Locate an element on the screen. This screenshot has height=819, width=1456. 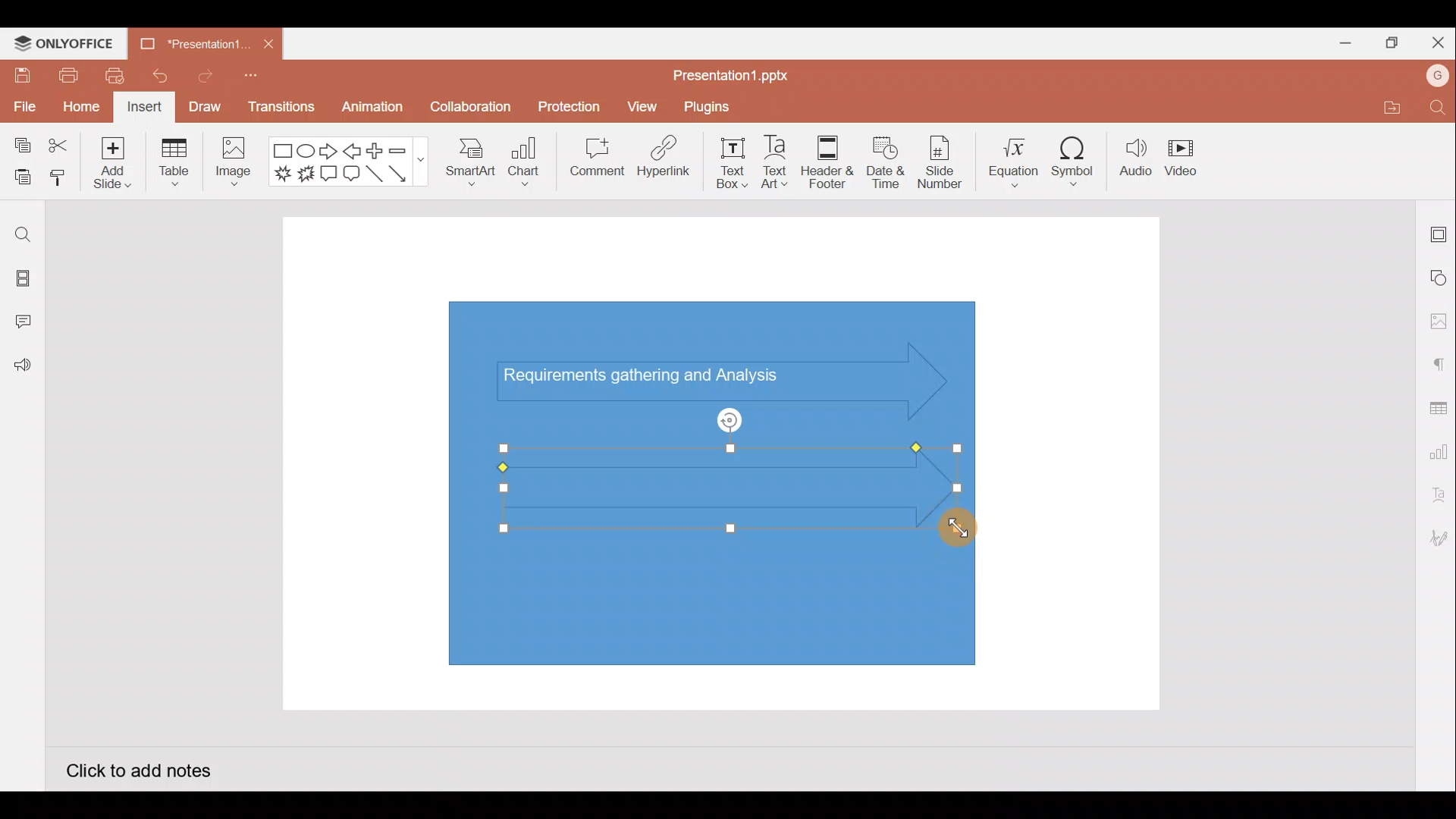
Image settings is located at coordinates (1439, 322).